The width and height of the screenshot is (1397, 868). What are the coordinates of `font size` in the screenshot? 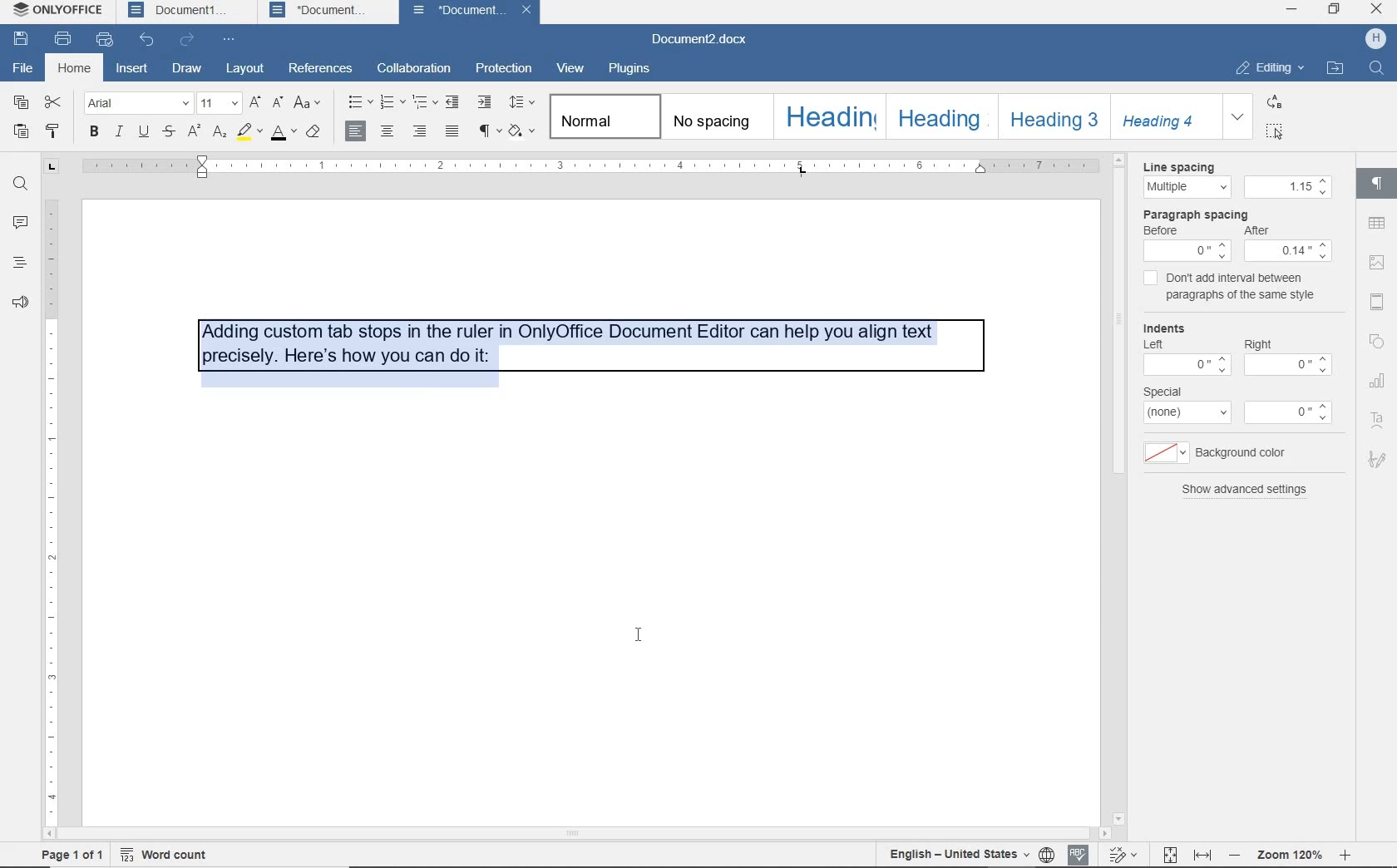 It's located at (220, 104).